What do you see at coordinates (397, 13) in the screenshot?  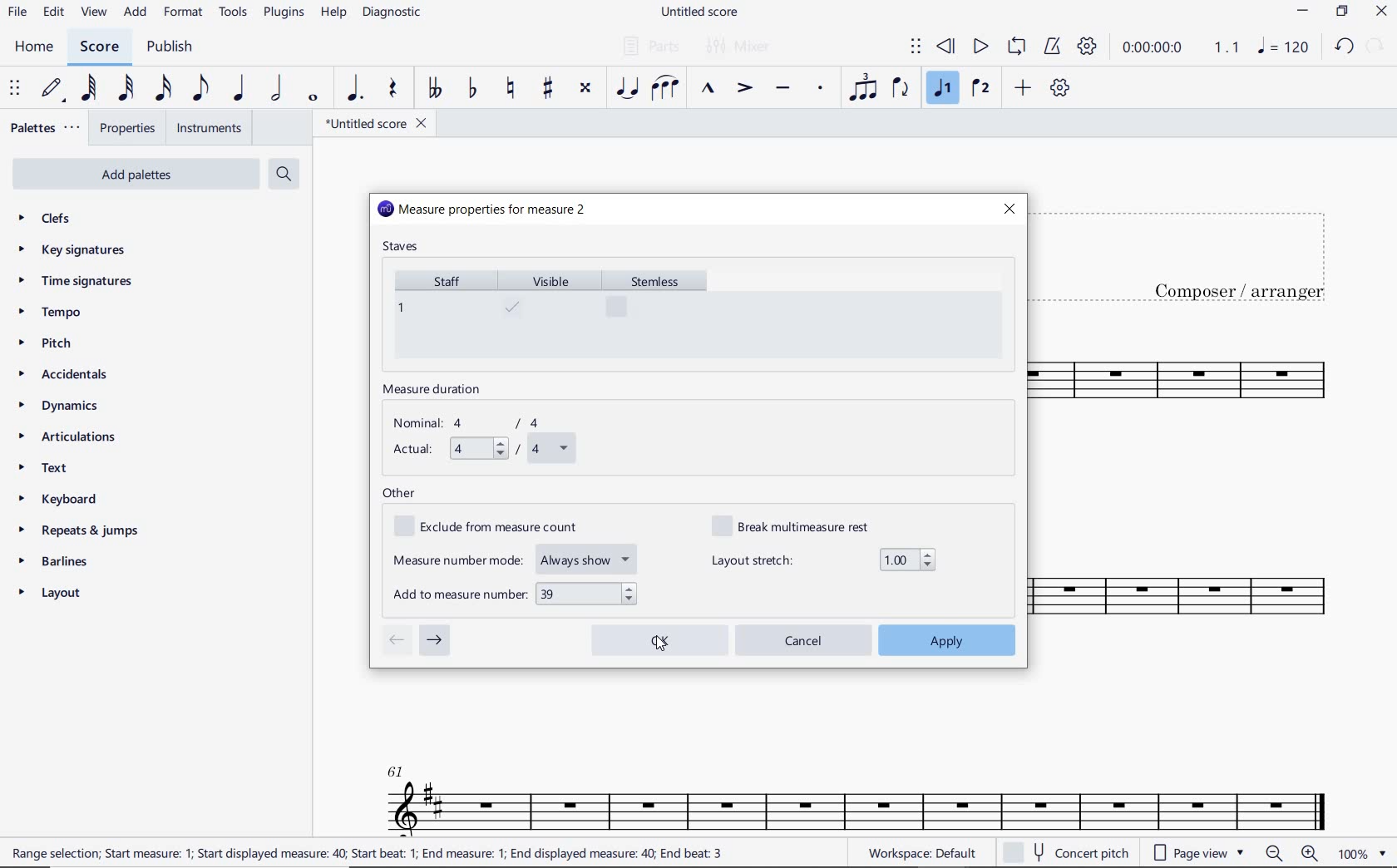 I see `DIAGNOSTIC` at bounding box center [397, 13].